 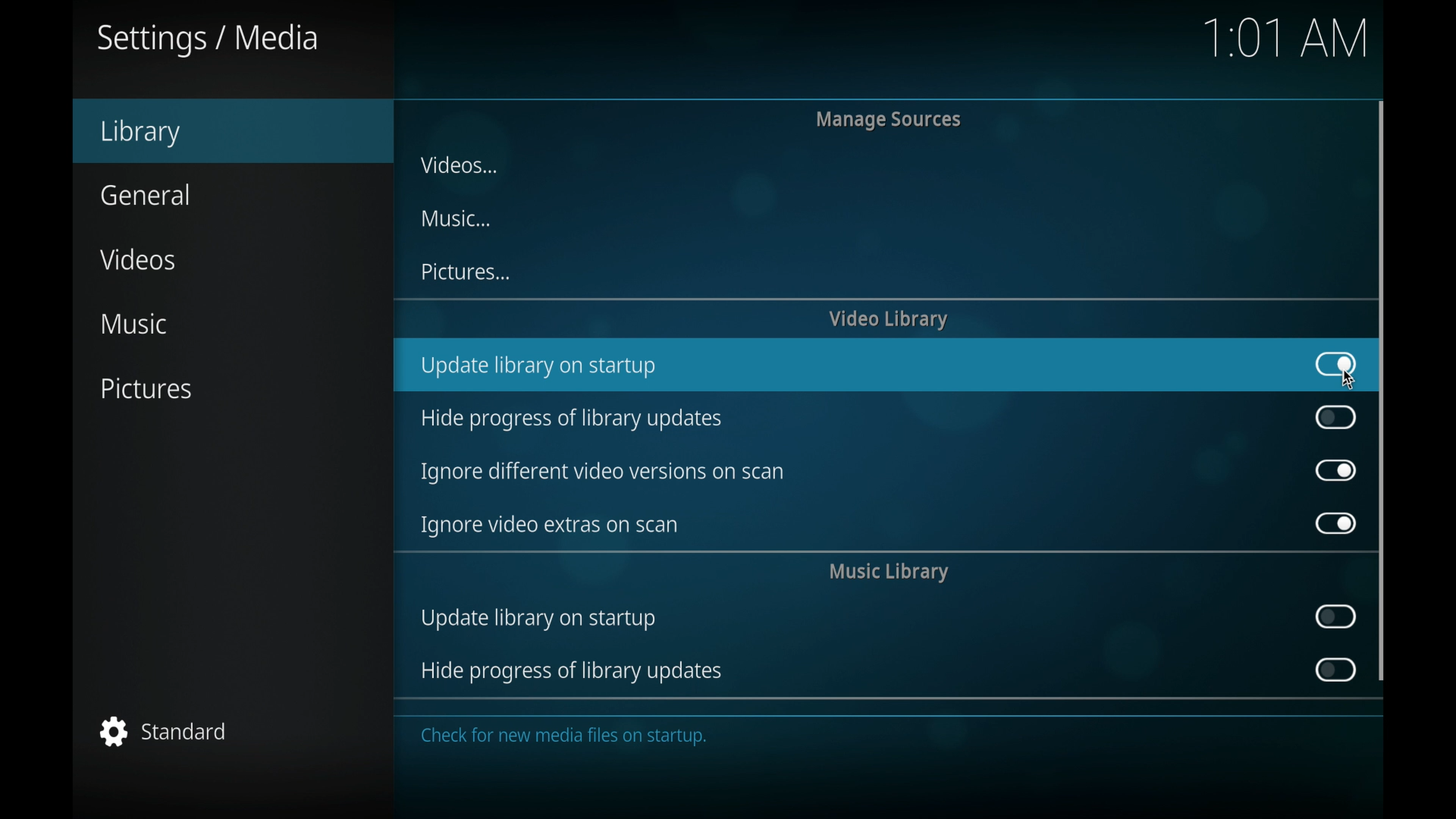 What do you see at coordinates (1337, 365) in the screenshot?
I see `toggle button on` at bounding box center [1337, 365].